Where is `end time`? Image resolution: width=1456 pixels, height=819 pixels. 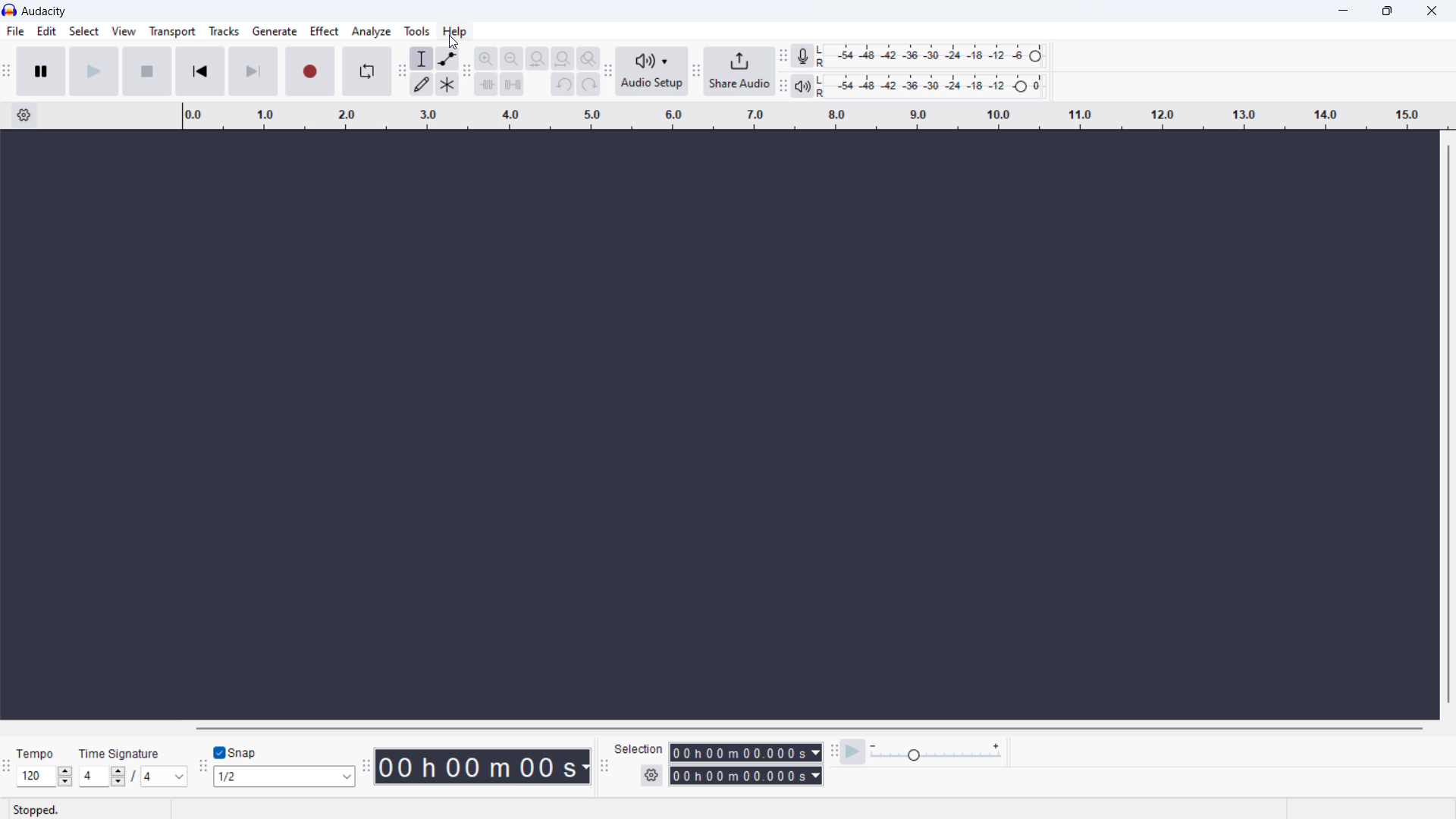 end time is located at coordinates (745, 775).